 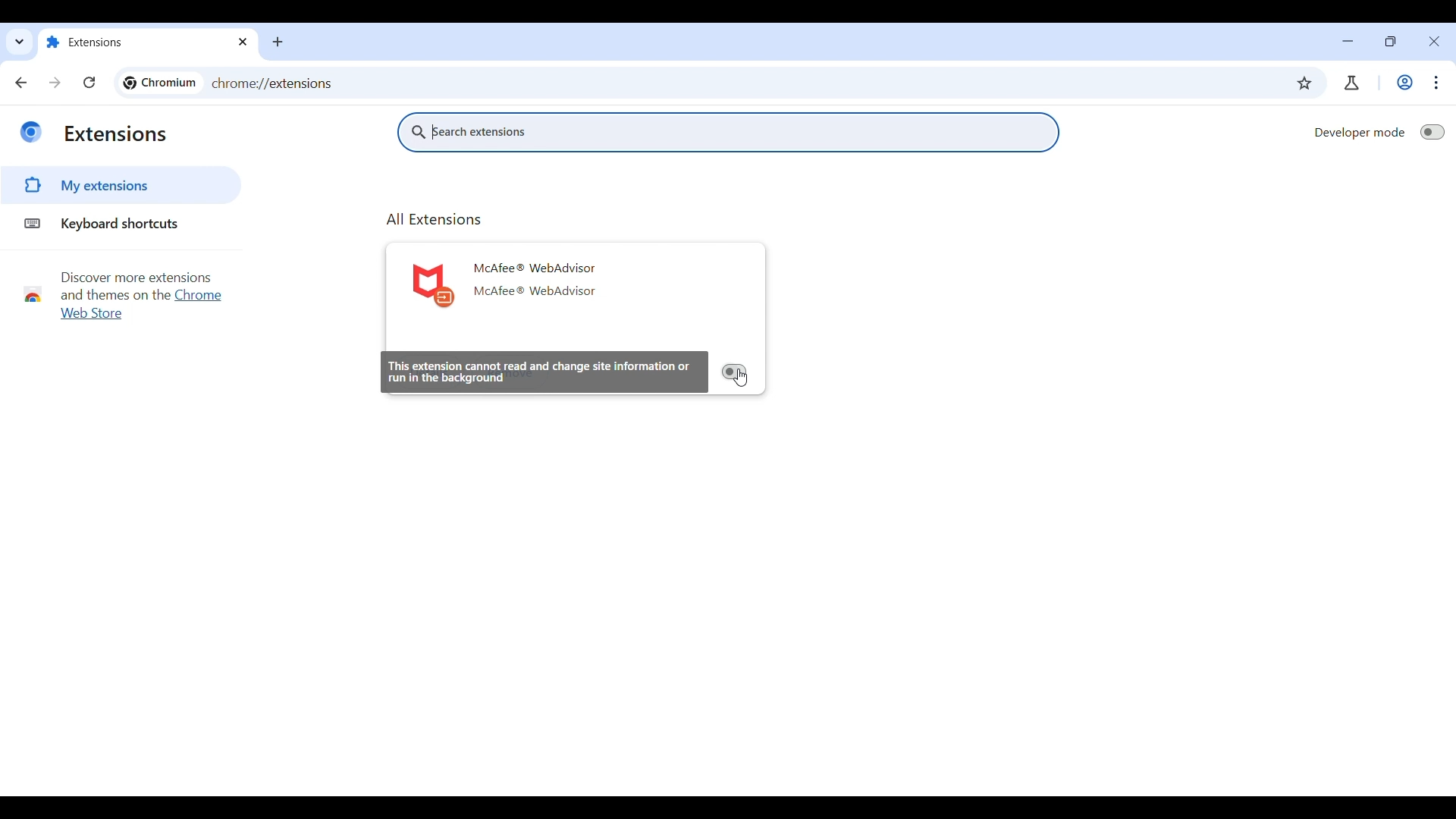 I want to click on All Extensions, so click(x=435, y=219).